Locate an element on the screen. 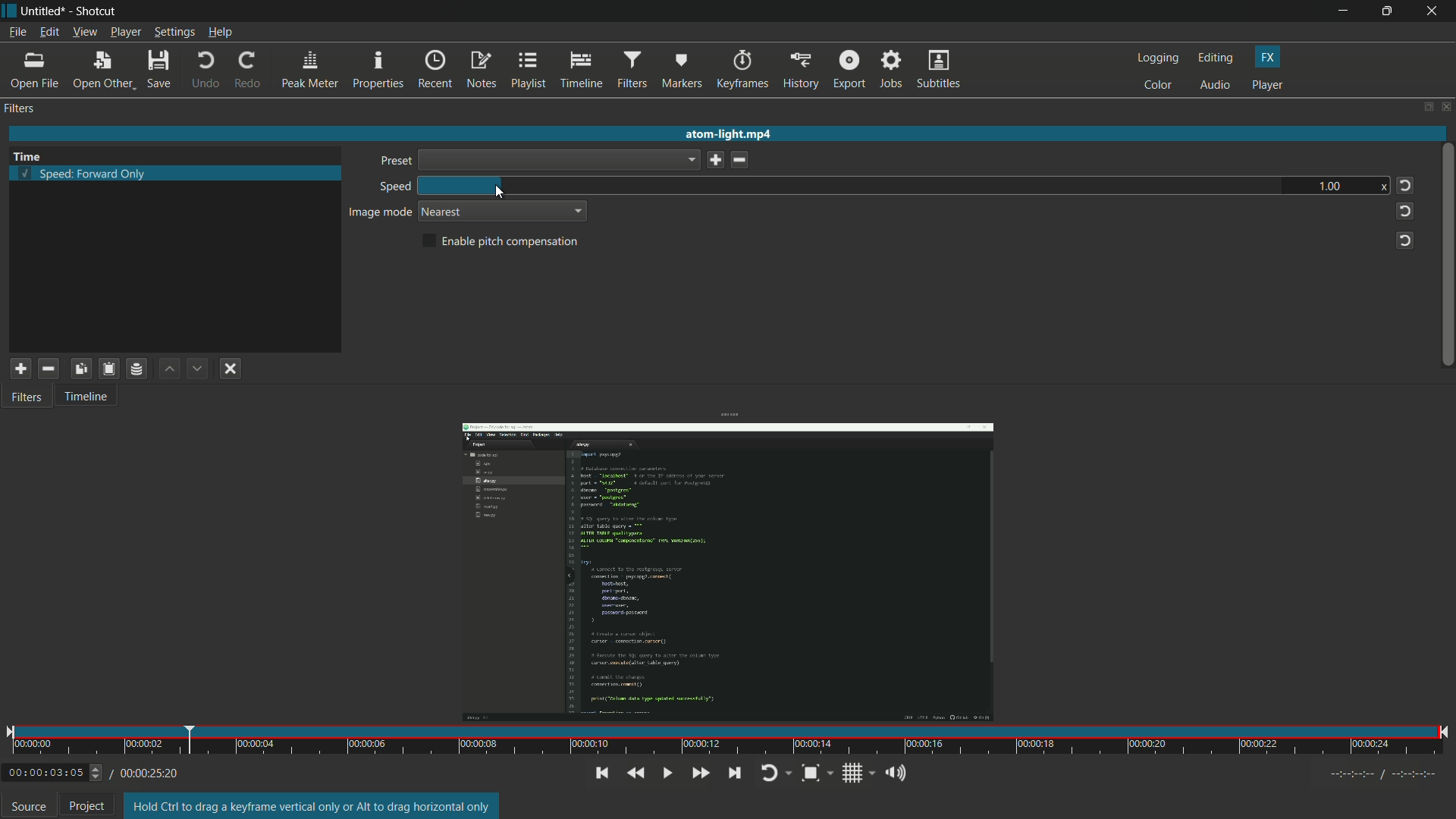 Image resolution: width=1456 pixels, height=819 pixels. logging is located at coordinates (1156, 59).